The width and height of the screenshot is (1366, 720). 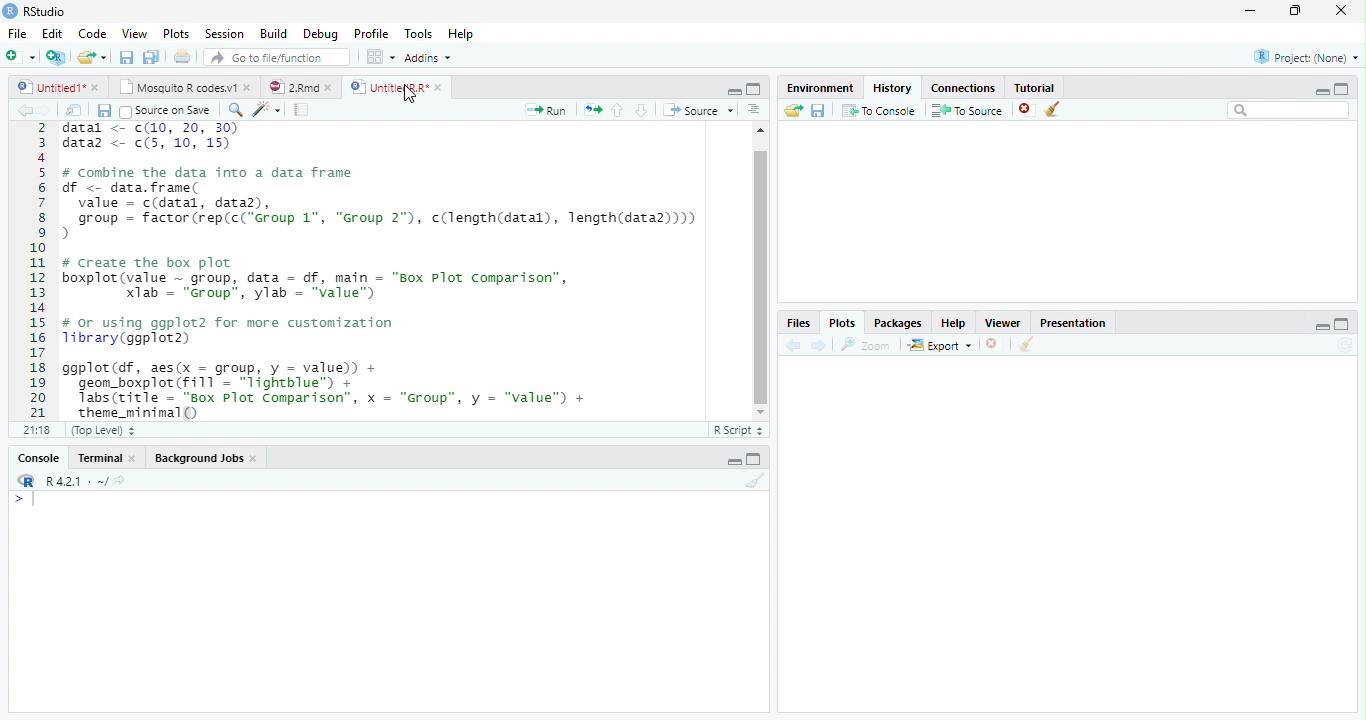 What do you see at coordinates (17, 33) in the screenshot?
I see `File` at bounding box center [17, 33].